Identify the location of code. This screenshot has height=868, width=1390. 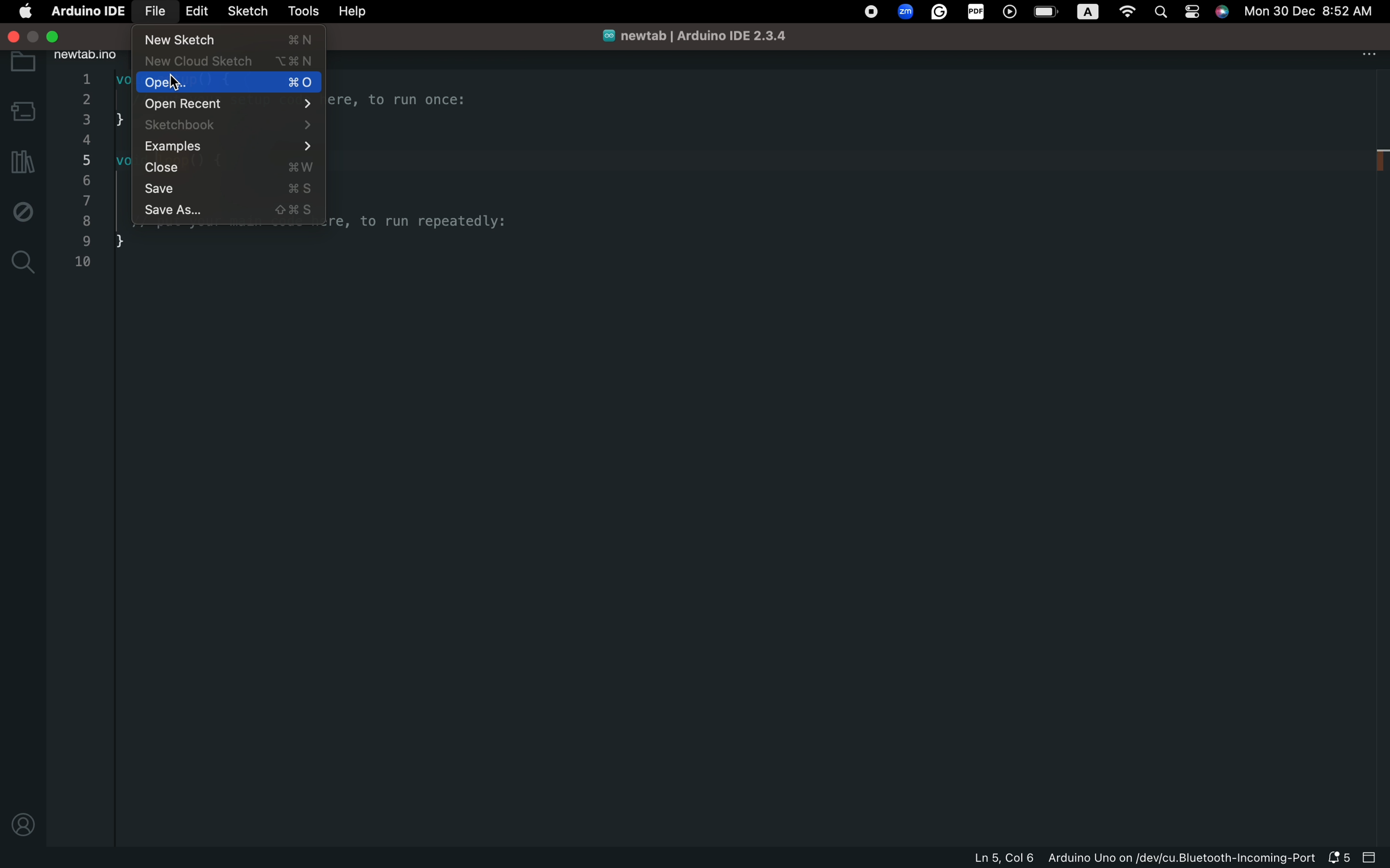
(99, 170).